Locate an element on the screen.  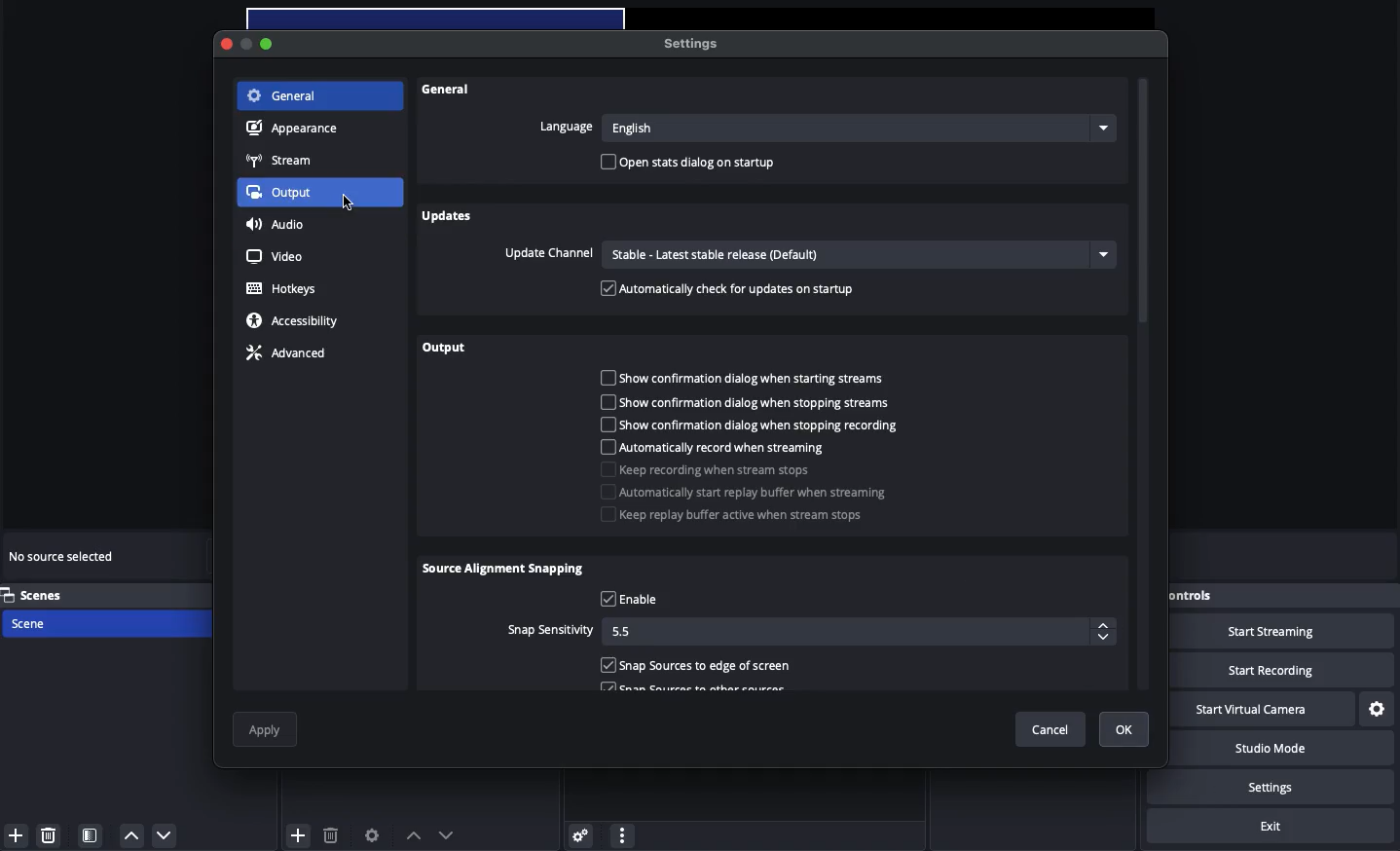
Show confirmation dialog when stopping is located at coordinates (755, 425).